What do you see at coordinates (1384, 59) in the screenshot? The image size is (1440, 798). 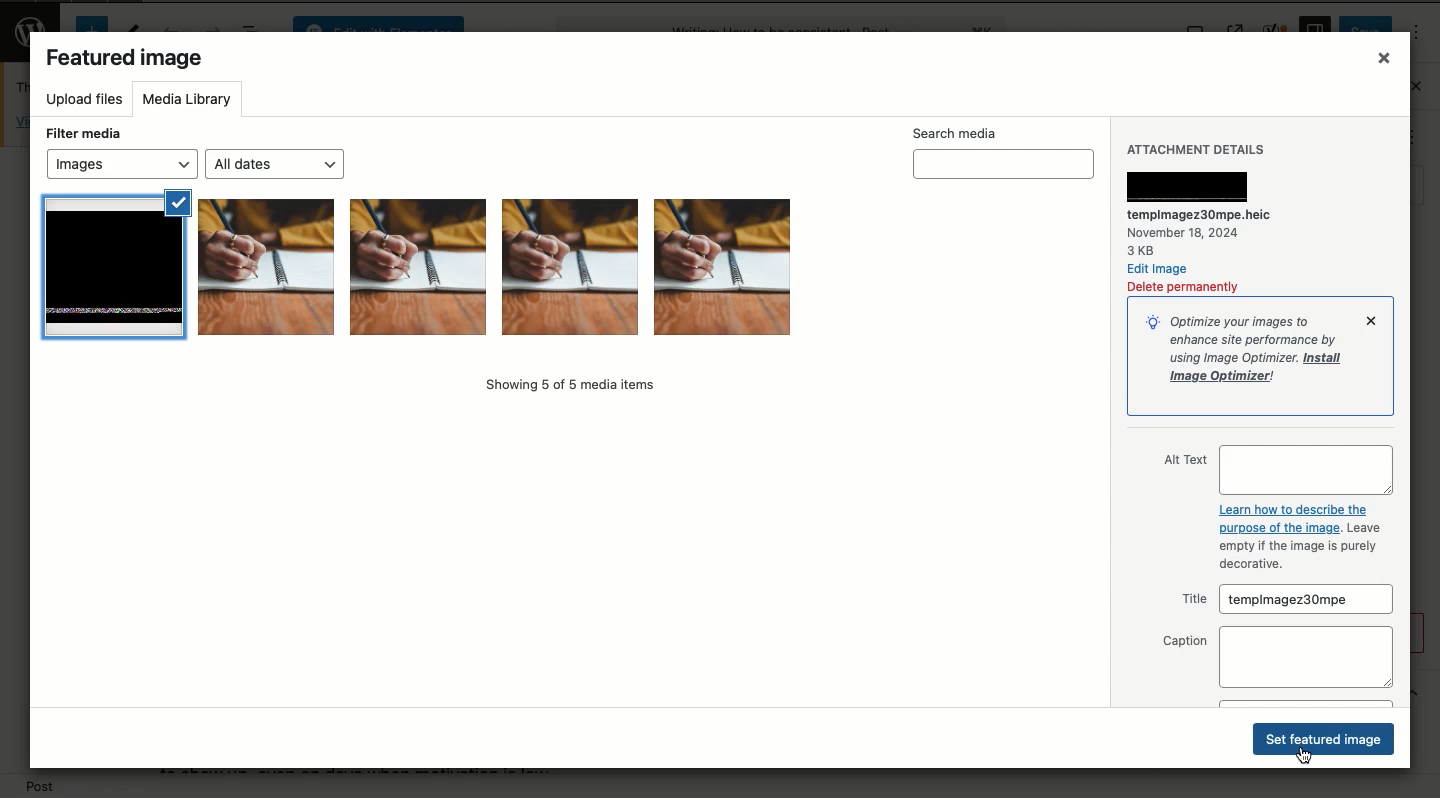 I see `Close` at bounding box center [1384, 59].